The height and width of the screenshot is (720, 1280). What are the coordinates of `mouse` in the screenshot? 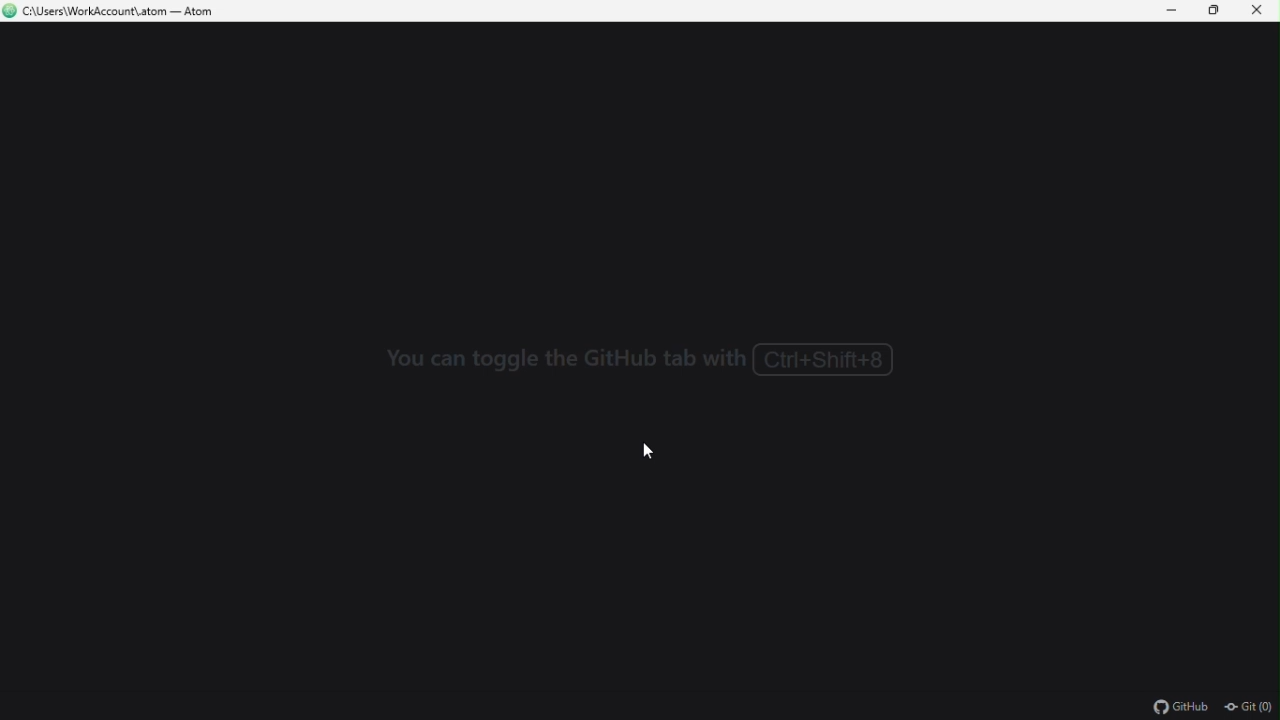 It's located at (658, 454).